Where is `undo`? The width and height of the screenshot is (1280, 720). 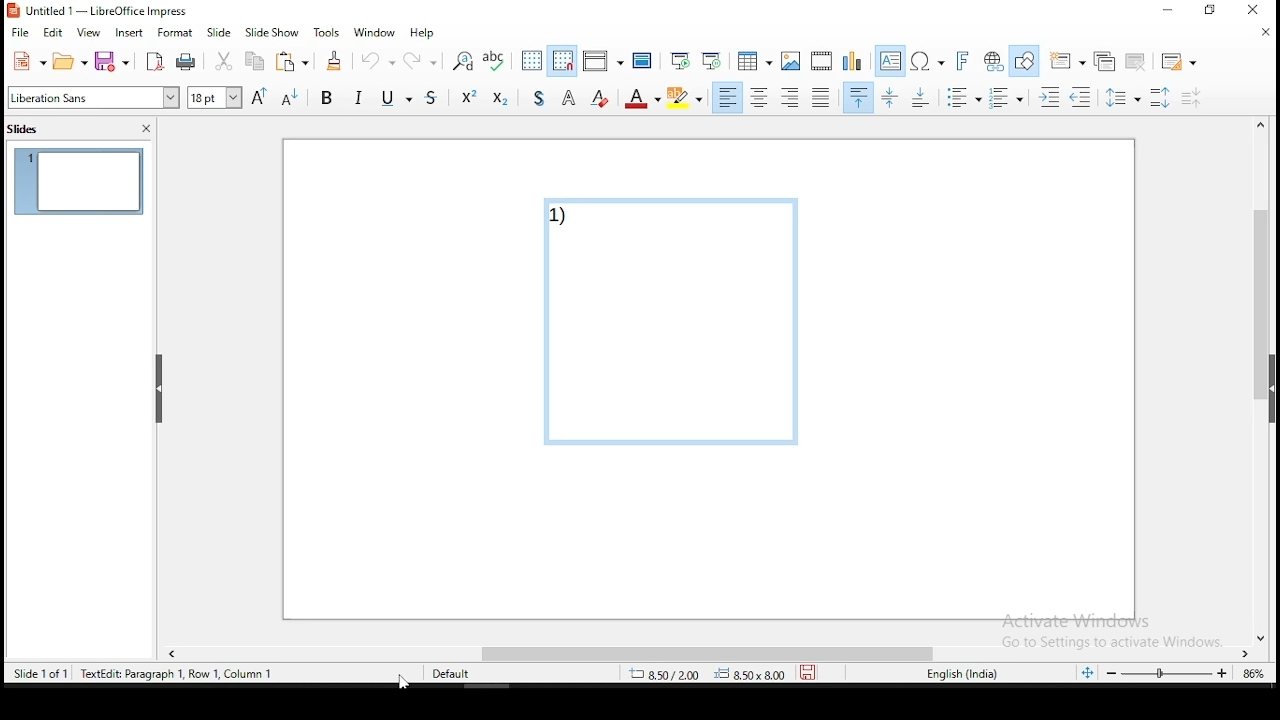 undo is located at coordinates (376, 60).